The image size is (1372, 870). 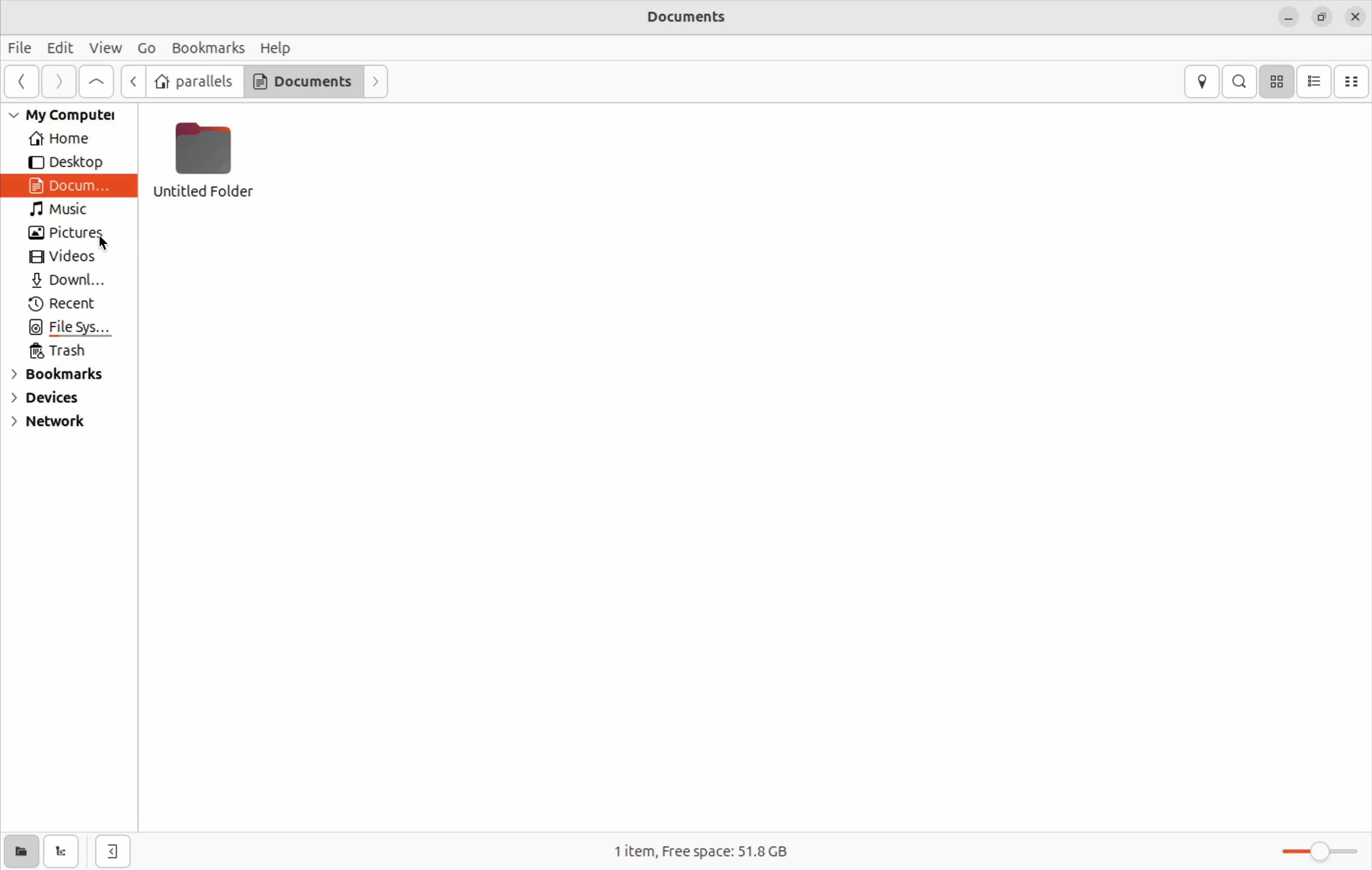 I want to click on Untitled Folder, so click(x=207, y=158).